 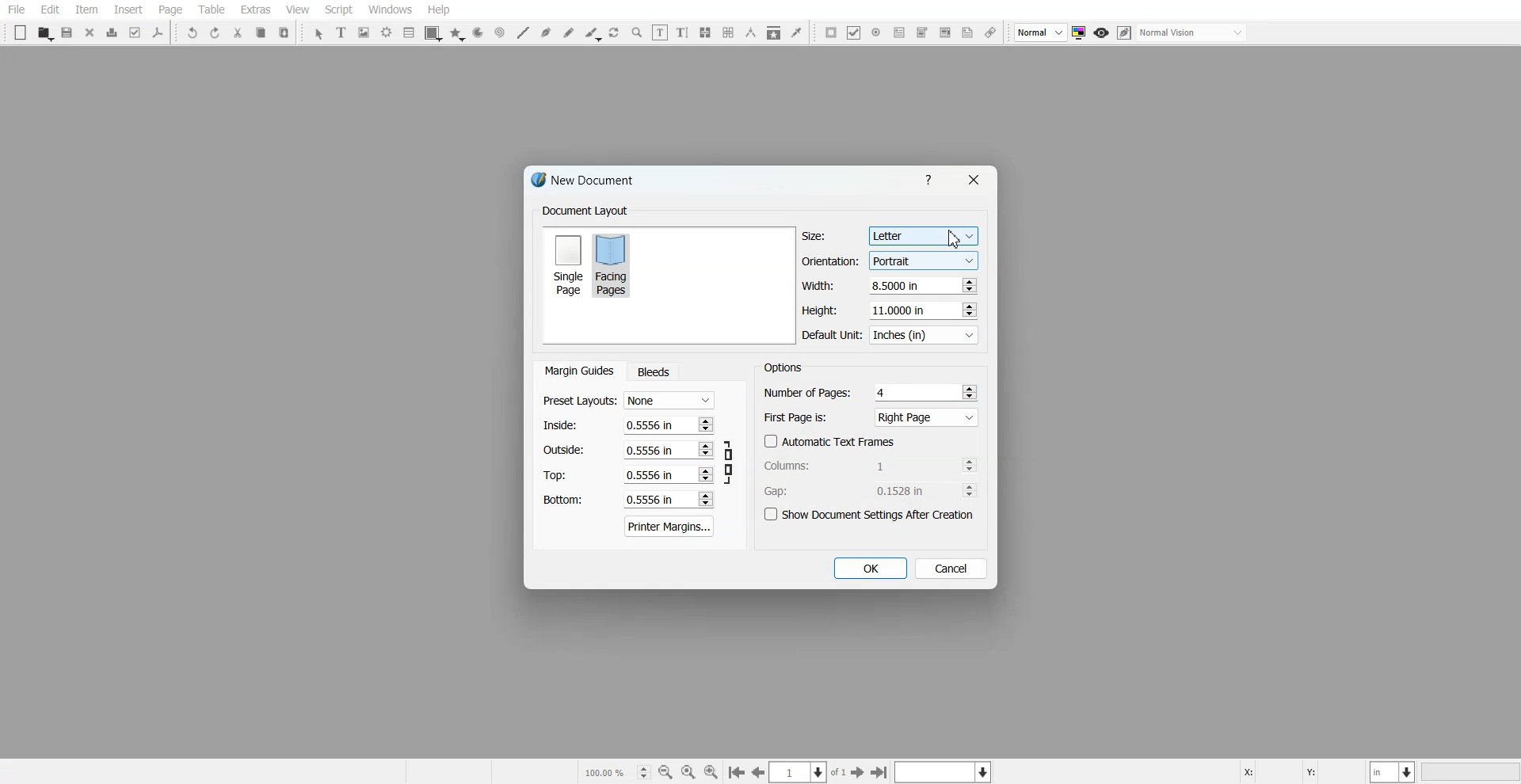 What do you see at coordinates (921, 32) in the screenshot?
I see `PDF Combo Box` at bounding box center [921, 32].